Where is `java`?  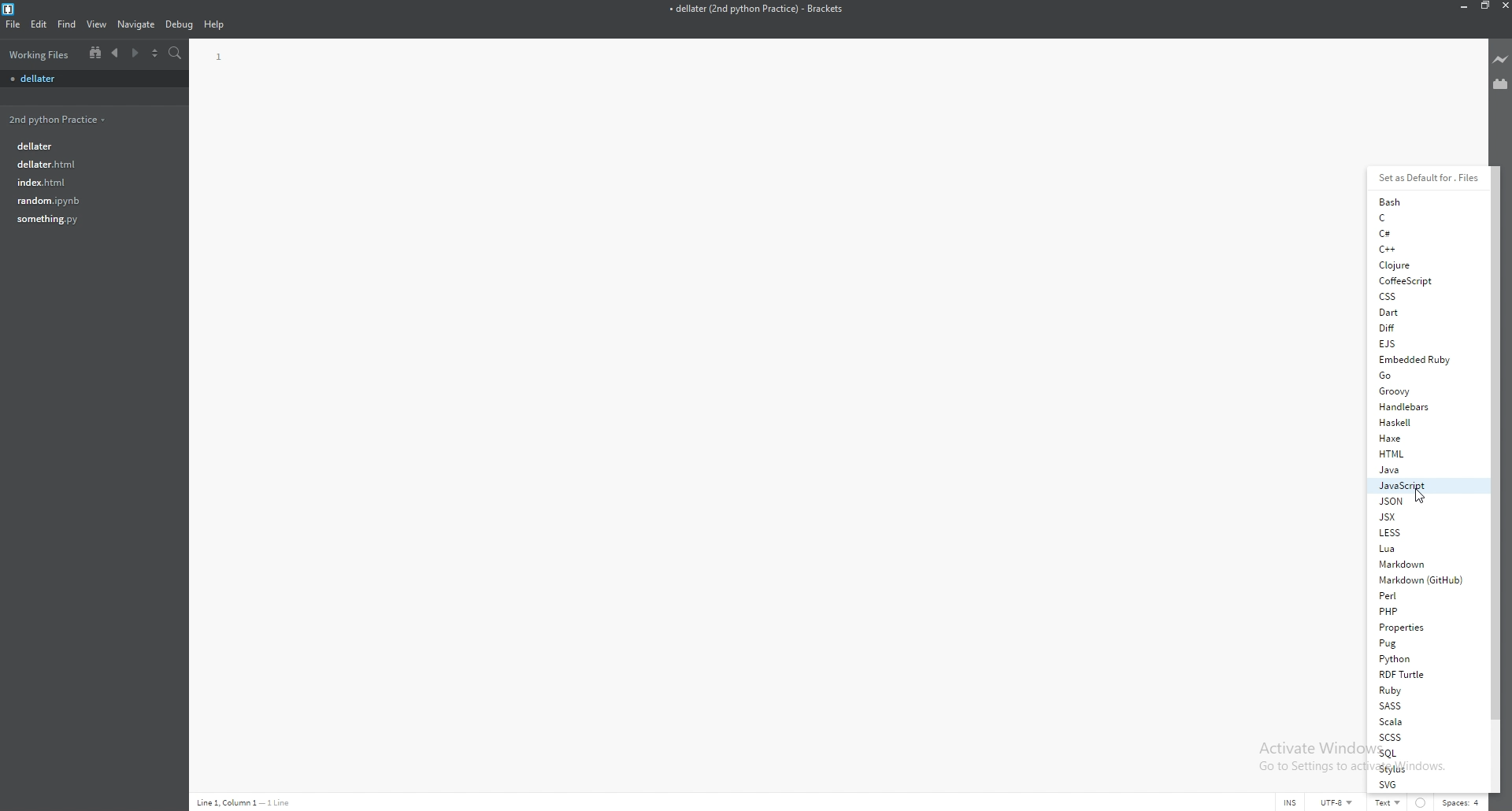 java is located at coordinates (1424, 469).